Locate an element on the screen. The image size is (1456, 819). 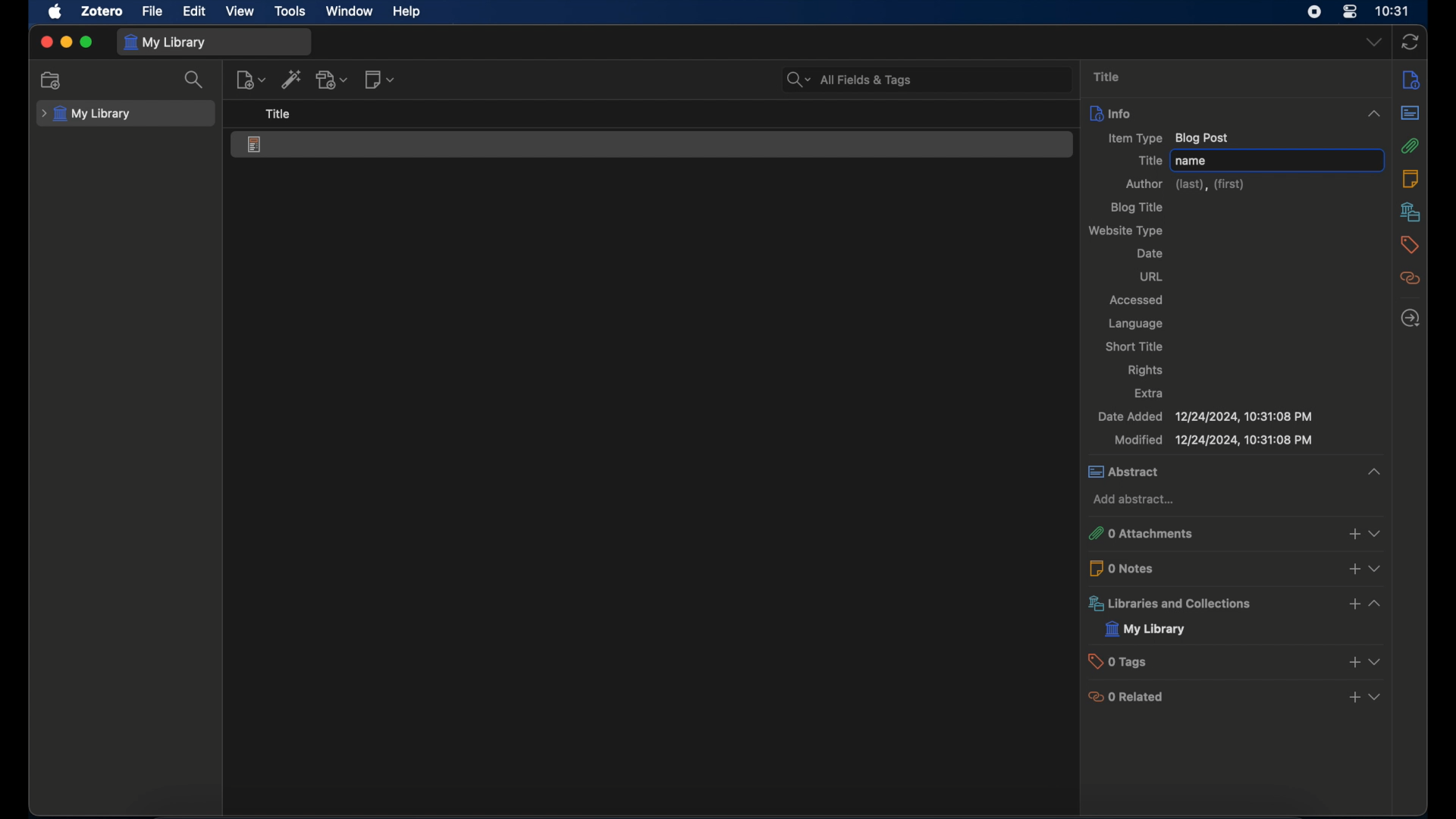
dropdown is located at coordinates (1373, 42).